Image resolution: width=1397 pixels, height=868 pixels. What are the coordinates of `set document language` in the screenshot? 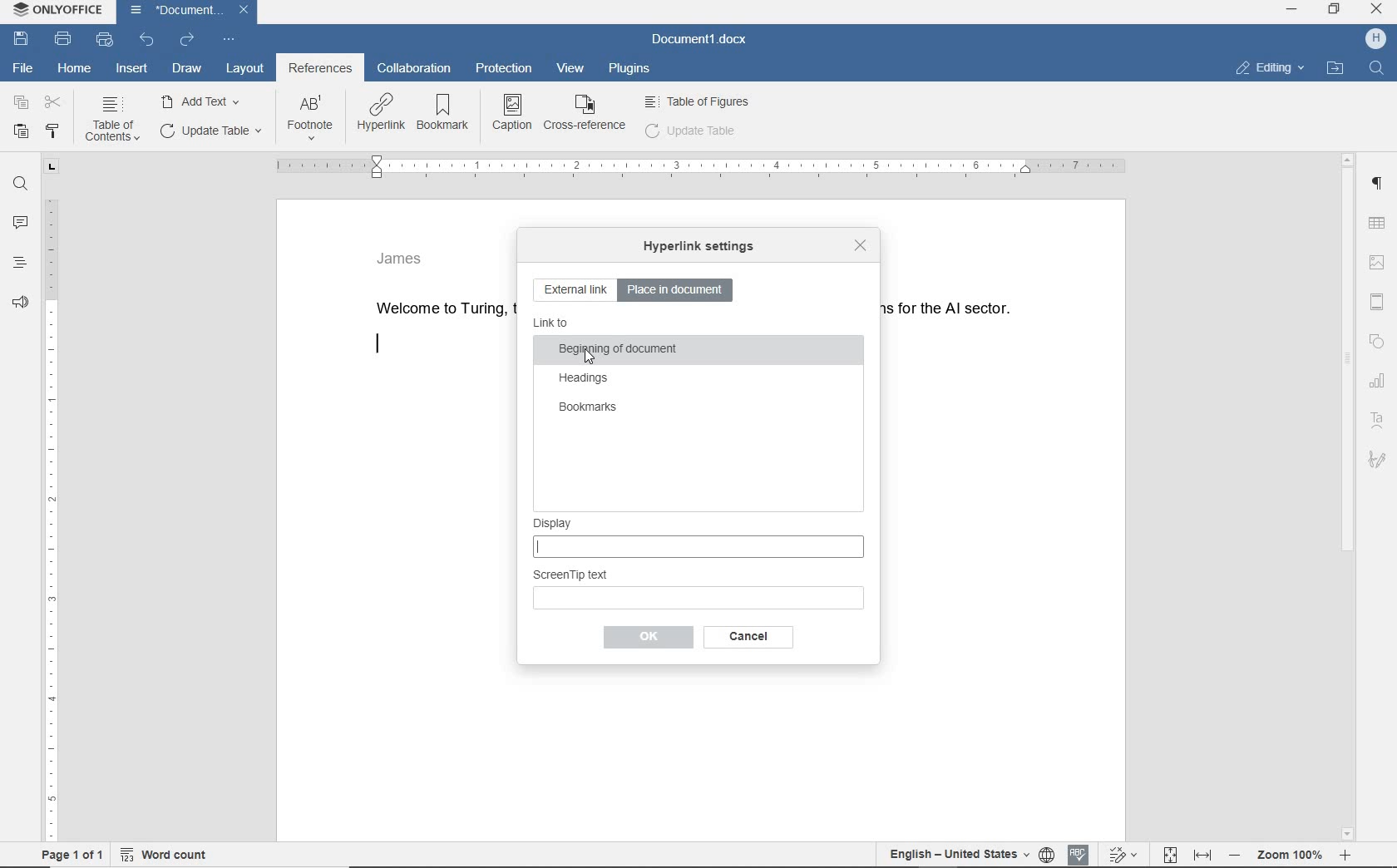 It's located at (1047, 856).